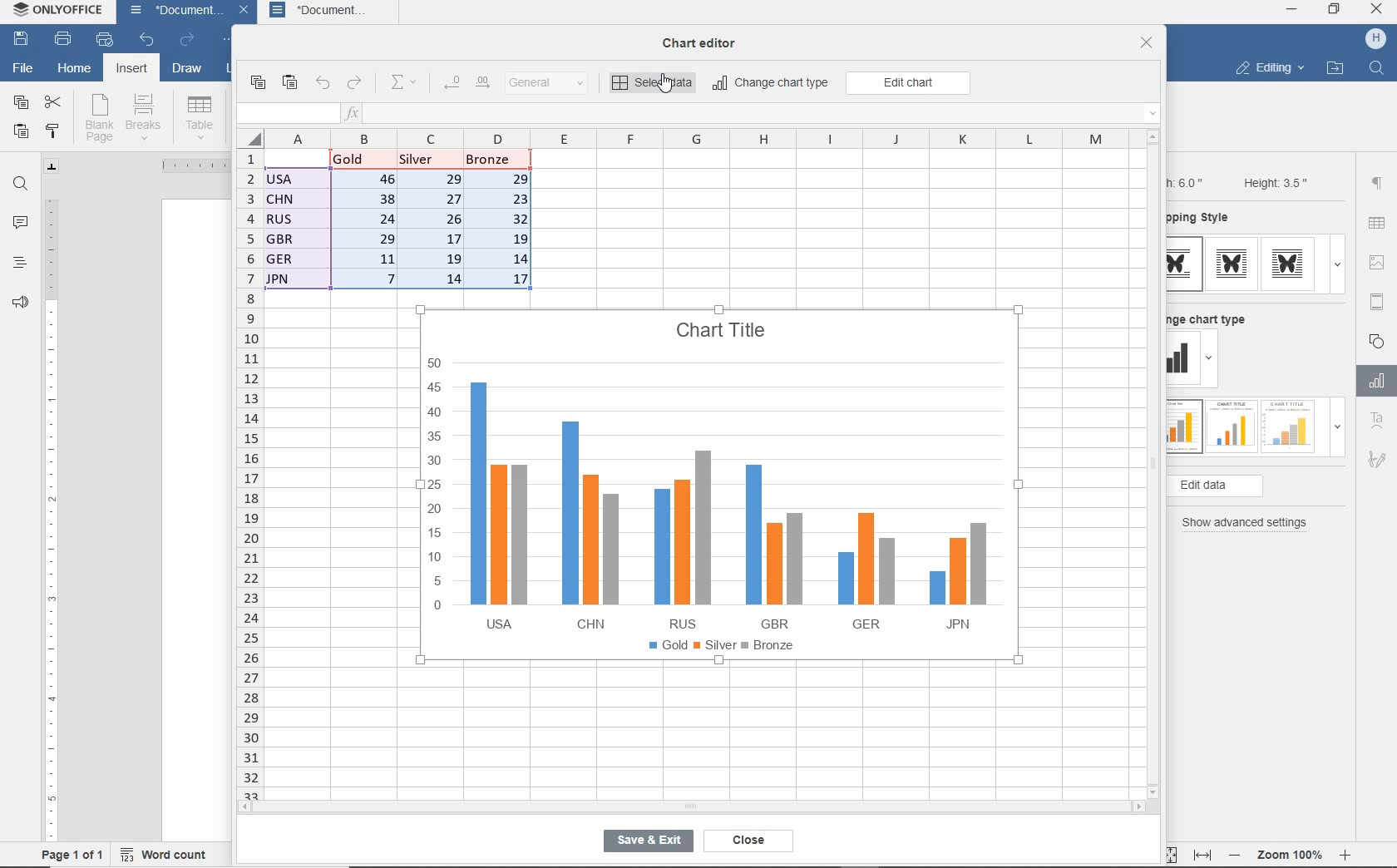 Image resolution: width=1397 pixels, height=868 pixels. Describe the element at coordinates (1183, 427) in the screenshot. I see `type 1 ` at that location.